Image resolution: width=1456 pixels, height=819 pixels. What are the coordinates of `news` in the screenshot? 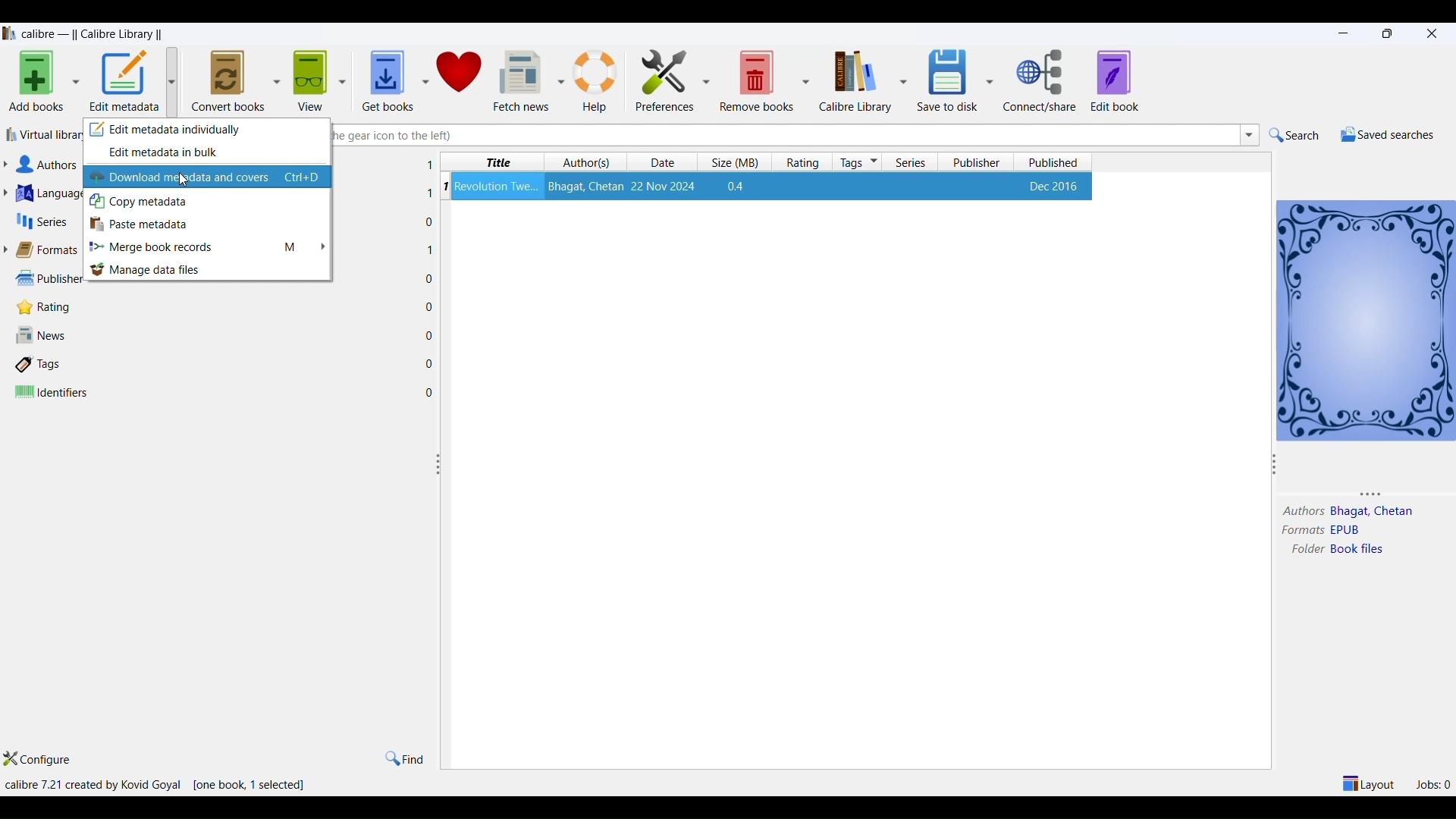 It's located at (43, 337).